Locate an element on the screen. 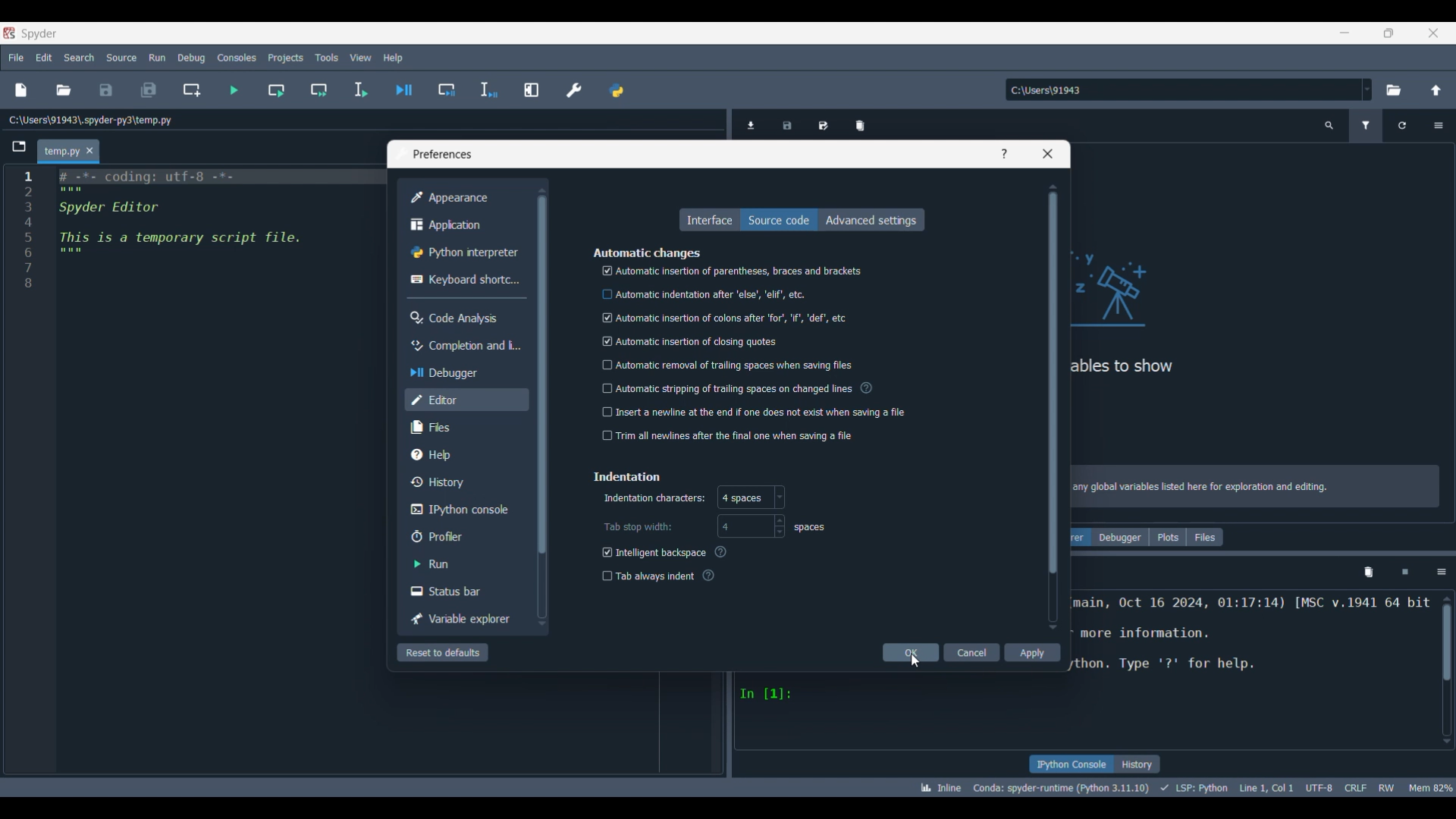 This screenshot has width=1456, height=819. Browse tabs is located at coordinates (19, 147).